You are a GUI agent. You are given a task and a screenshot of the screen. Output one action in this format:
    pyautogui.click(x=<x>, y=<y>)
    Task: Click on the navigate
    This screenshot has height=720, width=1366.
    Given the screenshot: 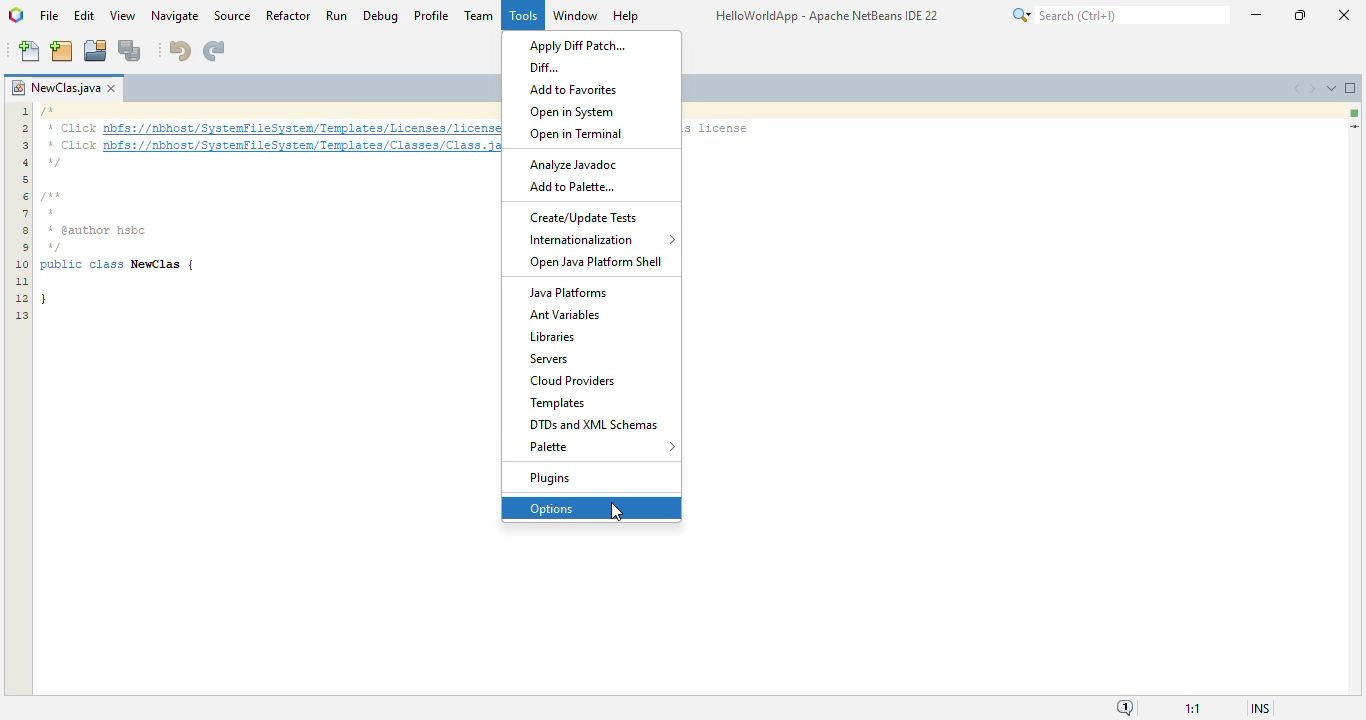 What is the action you would take?
    pyautogui.click(x=174, y=16)
    